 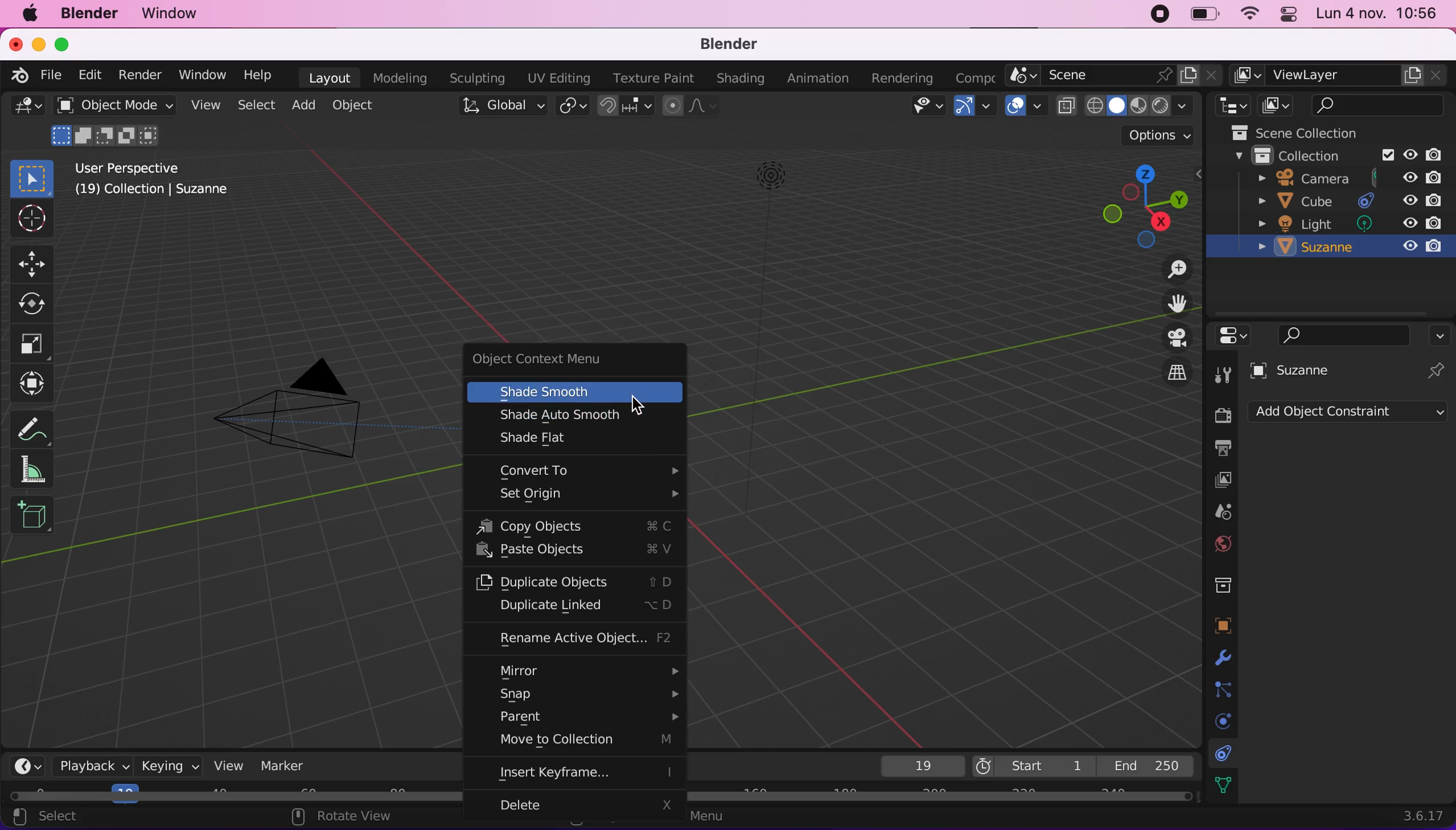 I want to click on scene, so click(x=1098, y=76).